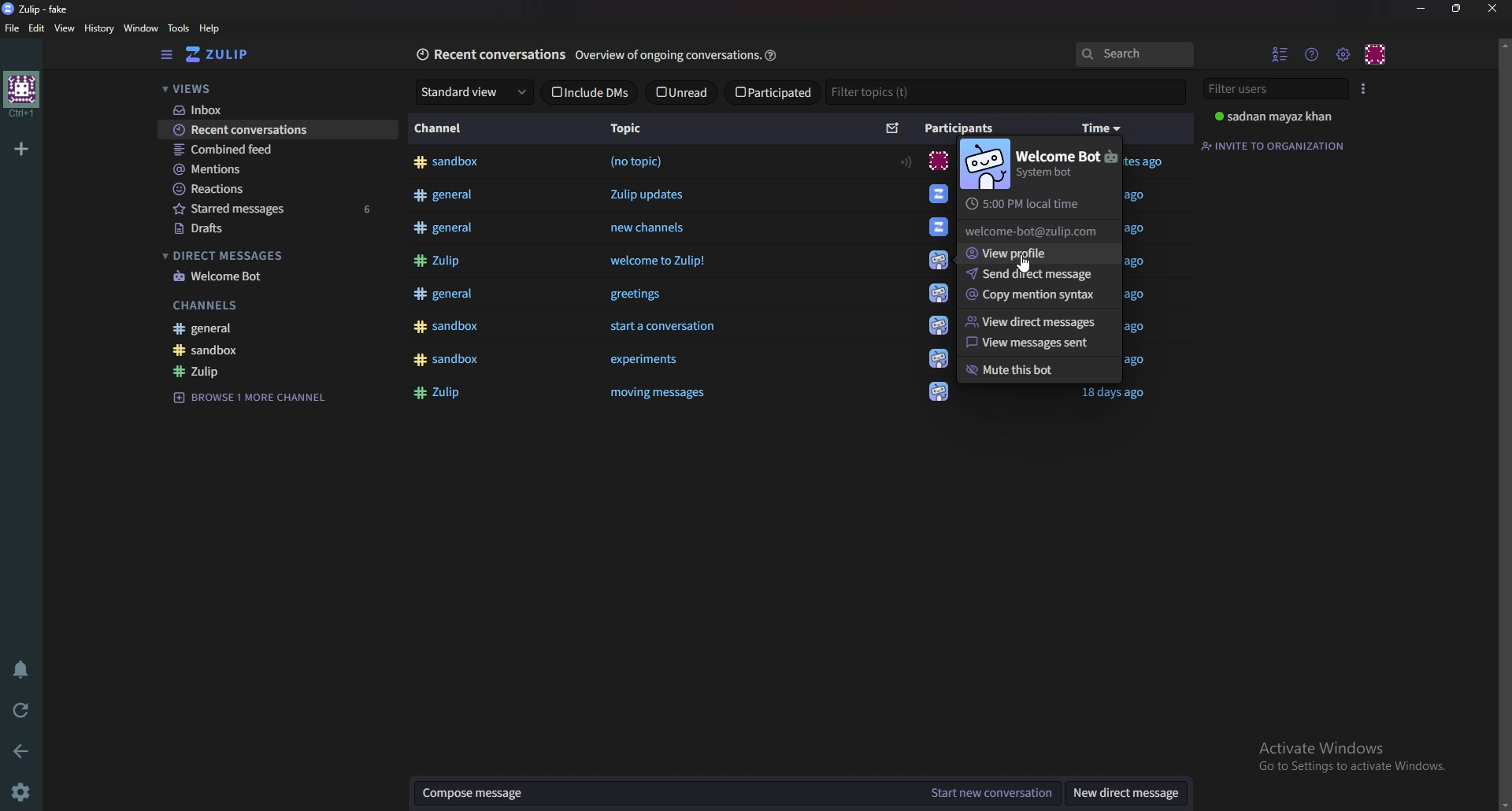  What do you see at coordinates (447, 324) in the screenshot?
I see `#sandbox` at bounding box center [447, 324].